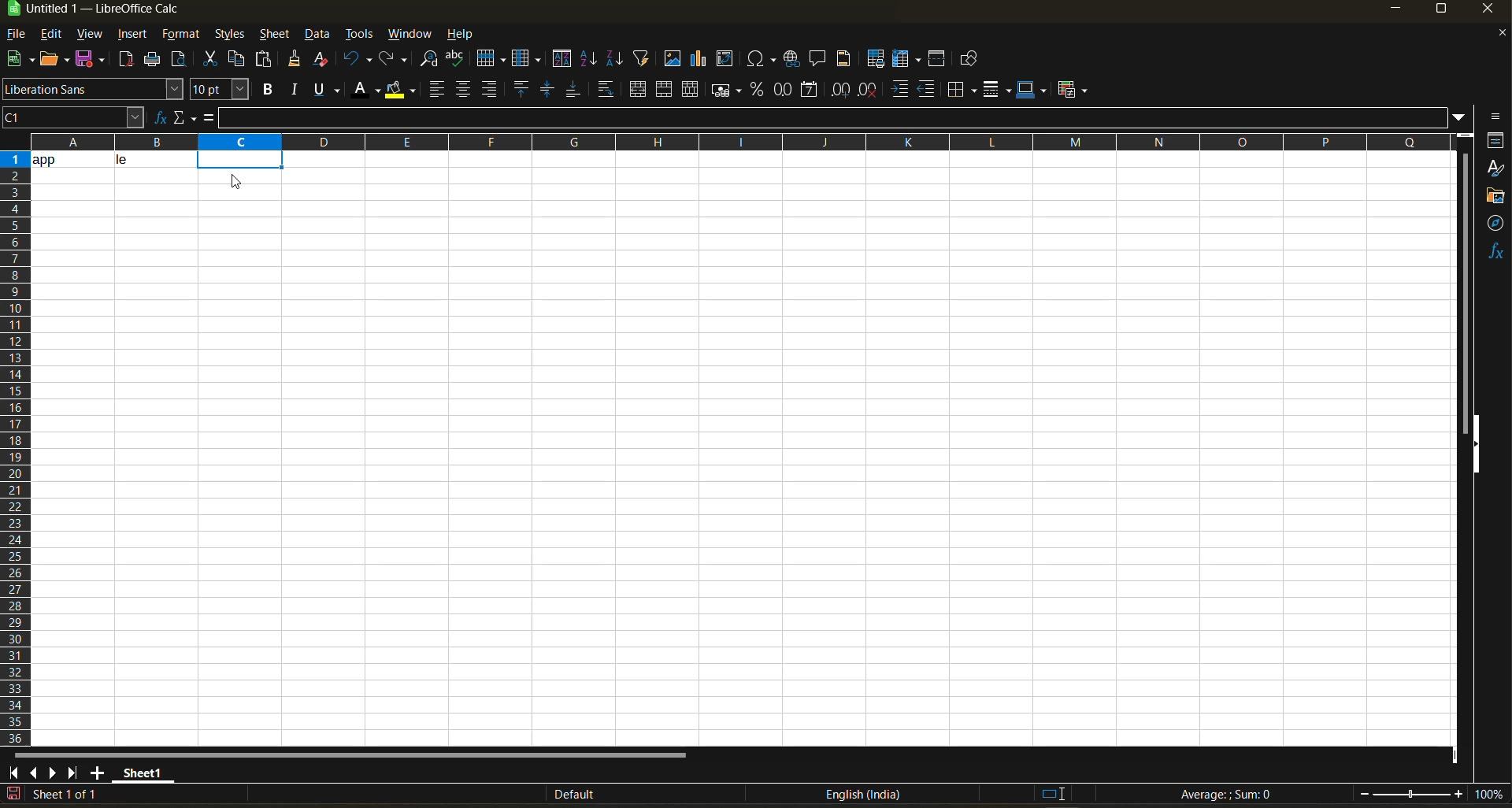 This screenshot has width=1512, height=808. Describe the element at coordinates (228, 35) in the screenshot. I see `styles` at that location.